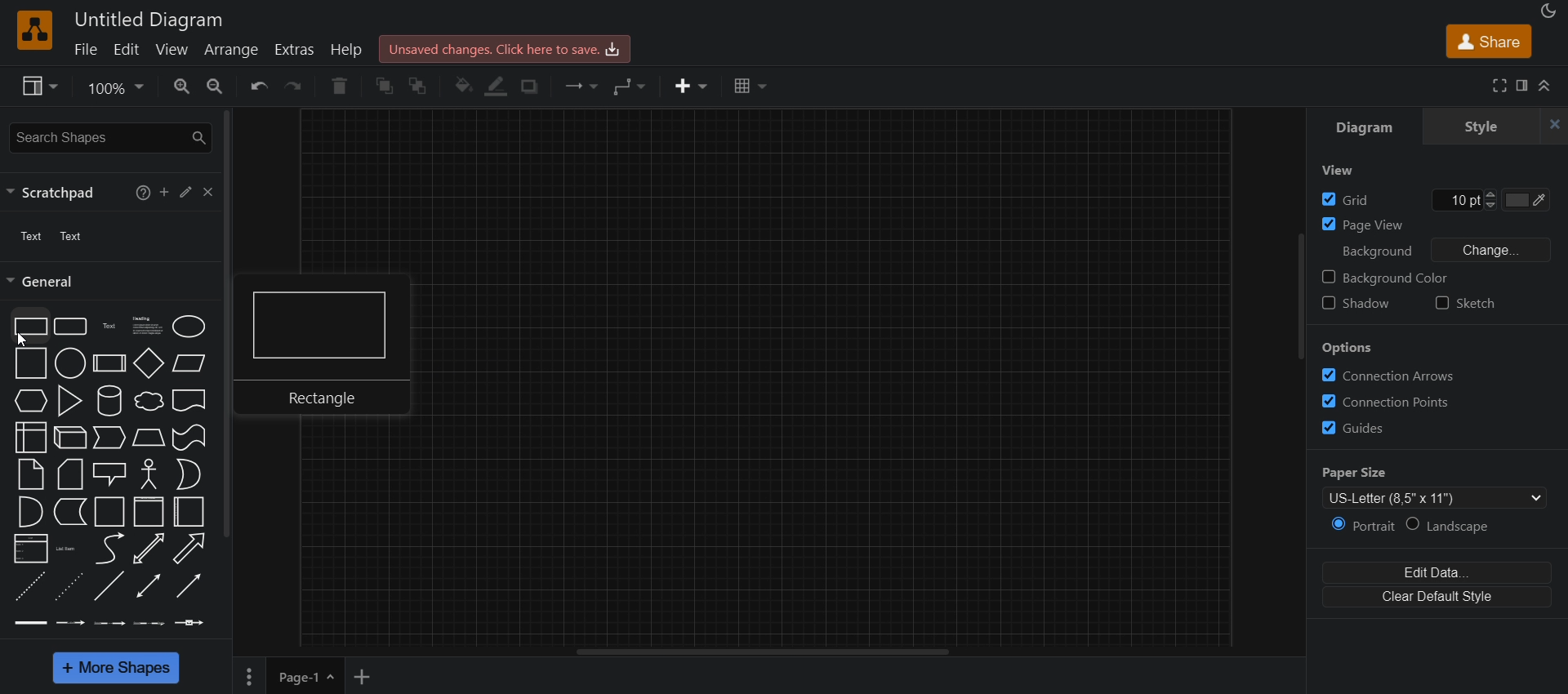 The width and height of the screenshot is (1568, 694). What do you see at coordinates (148, 587) in the screenshot?
I see `bidirectional connector` at bounding box center [148, 587].